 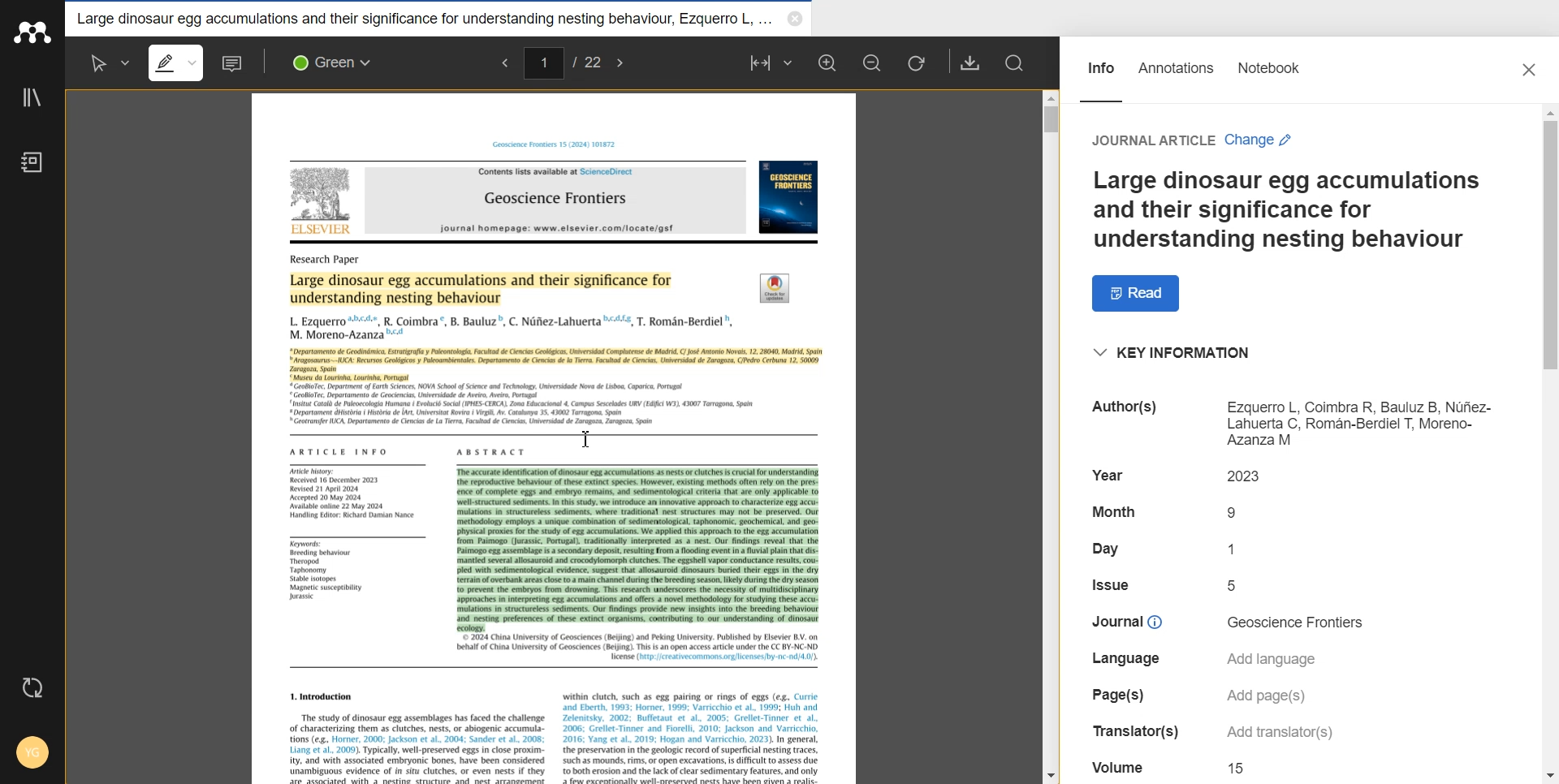 What do you see at coordinates (32, 162) in the screenshot?
I see `Notebook` at bounding box center [32, 162].